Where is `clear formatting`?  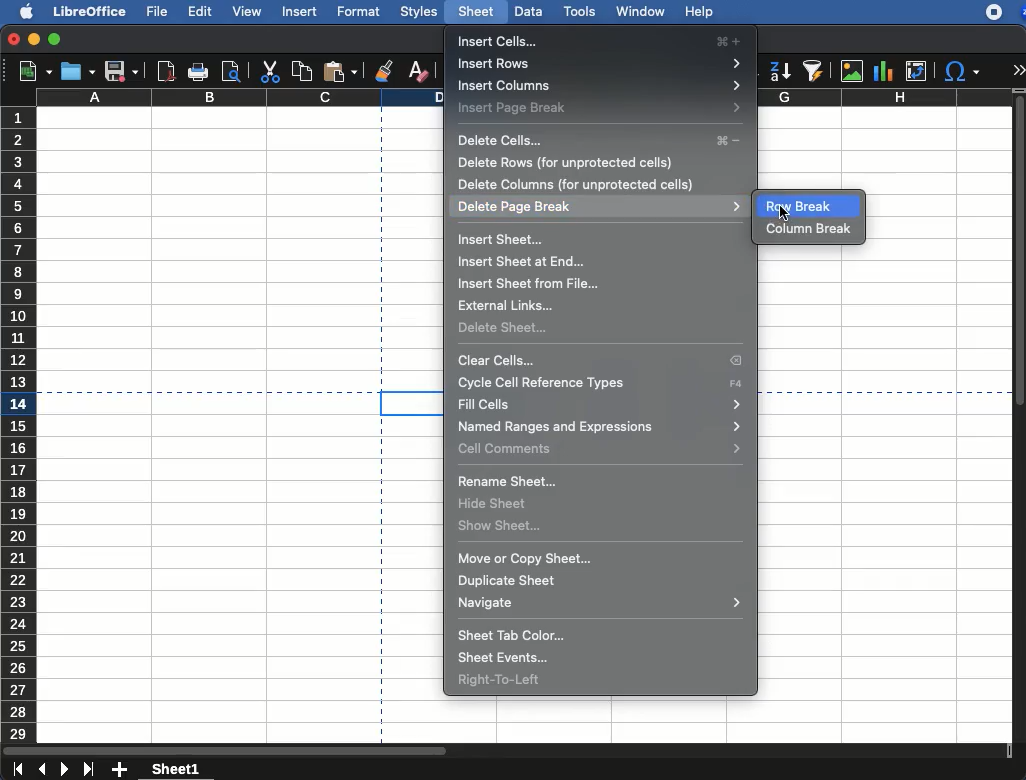 clear formatting is located at coordinates (417, 68).